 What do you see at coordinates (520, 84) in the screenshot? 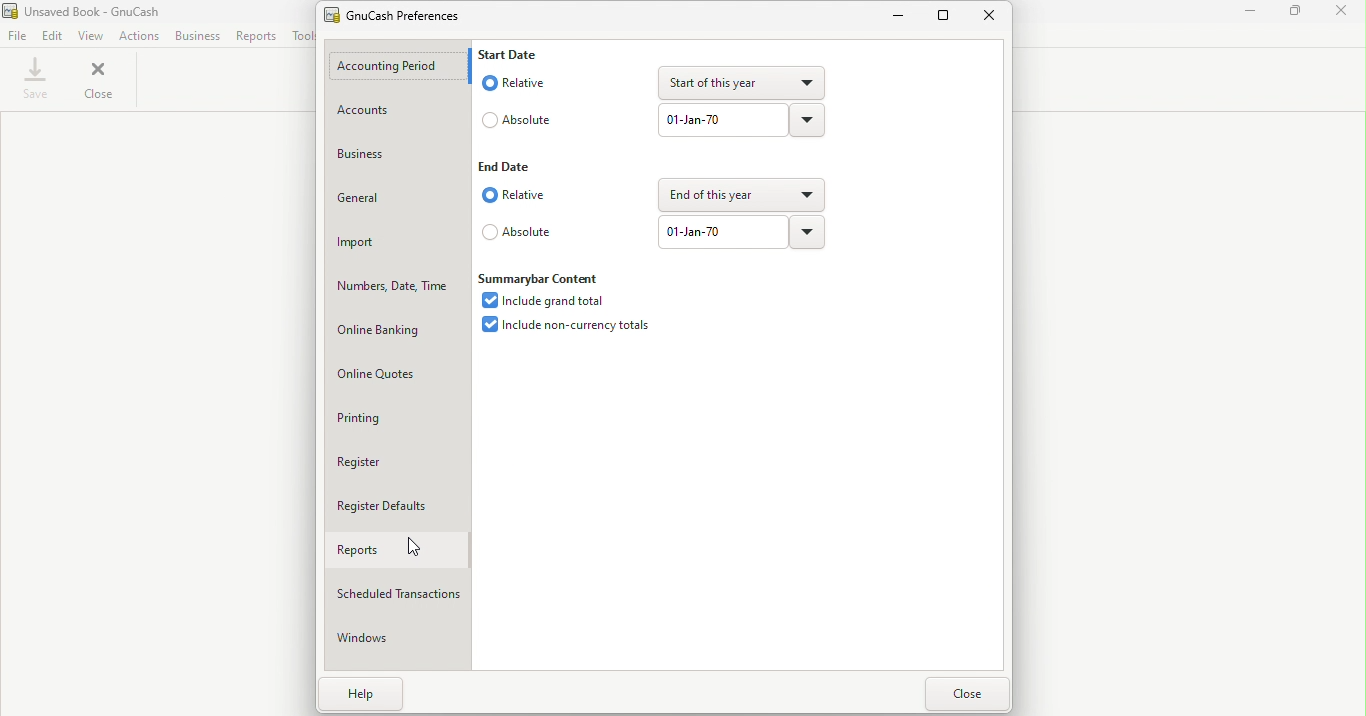
I see `Relative` at bounding box center [520, 84].